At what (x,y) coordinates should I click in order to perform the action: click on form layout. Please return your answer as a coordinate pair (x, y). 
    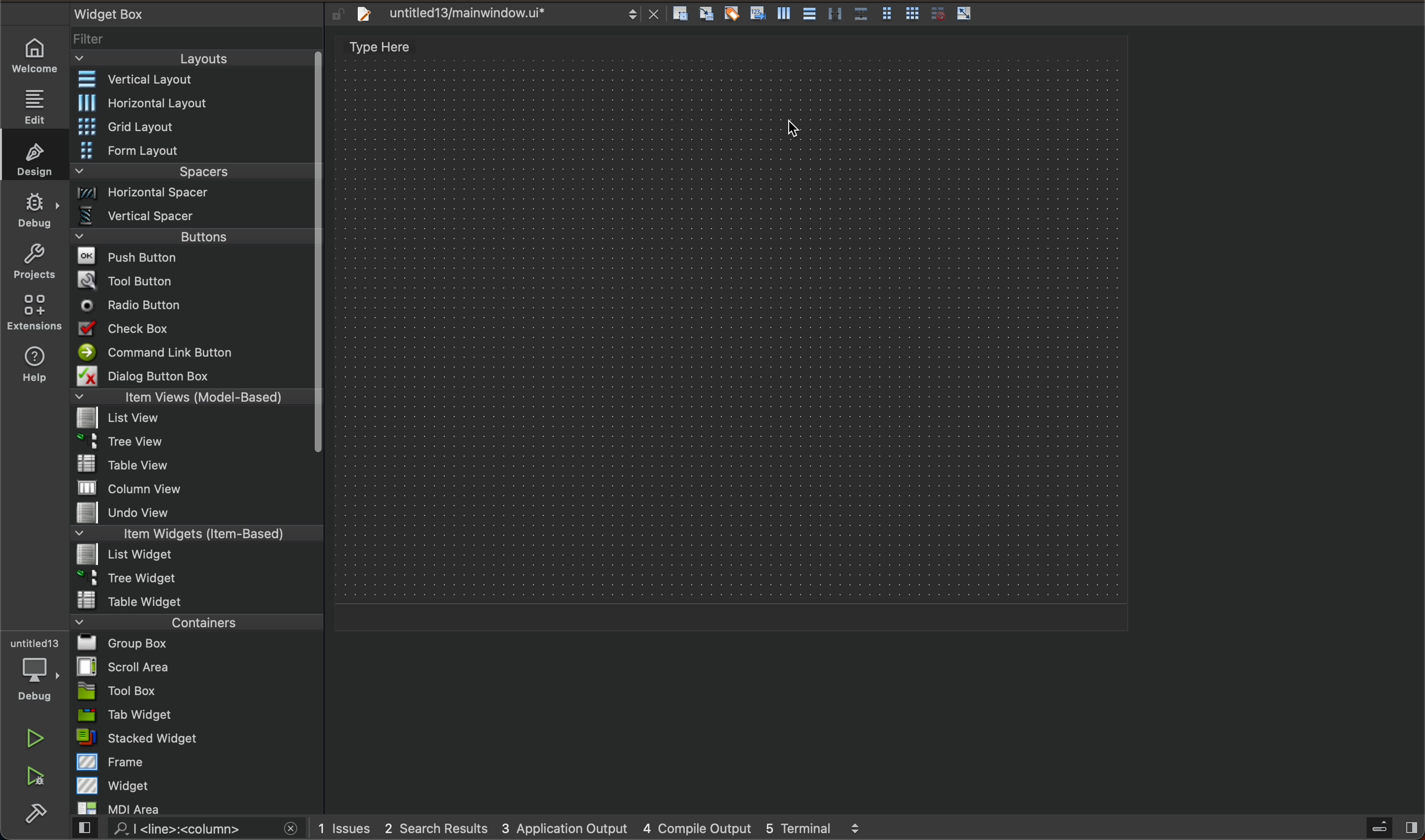
    Looking at the image, I should click on (193, 149).